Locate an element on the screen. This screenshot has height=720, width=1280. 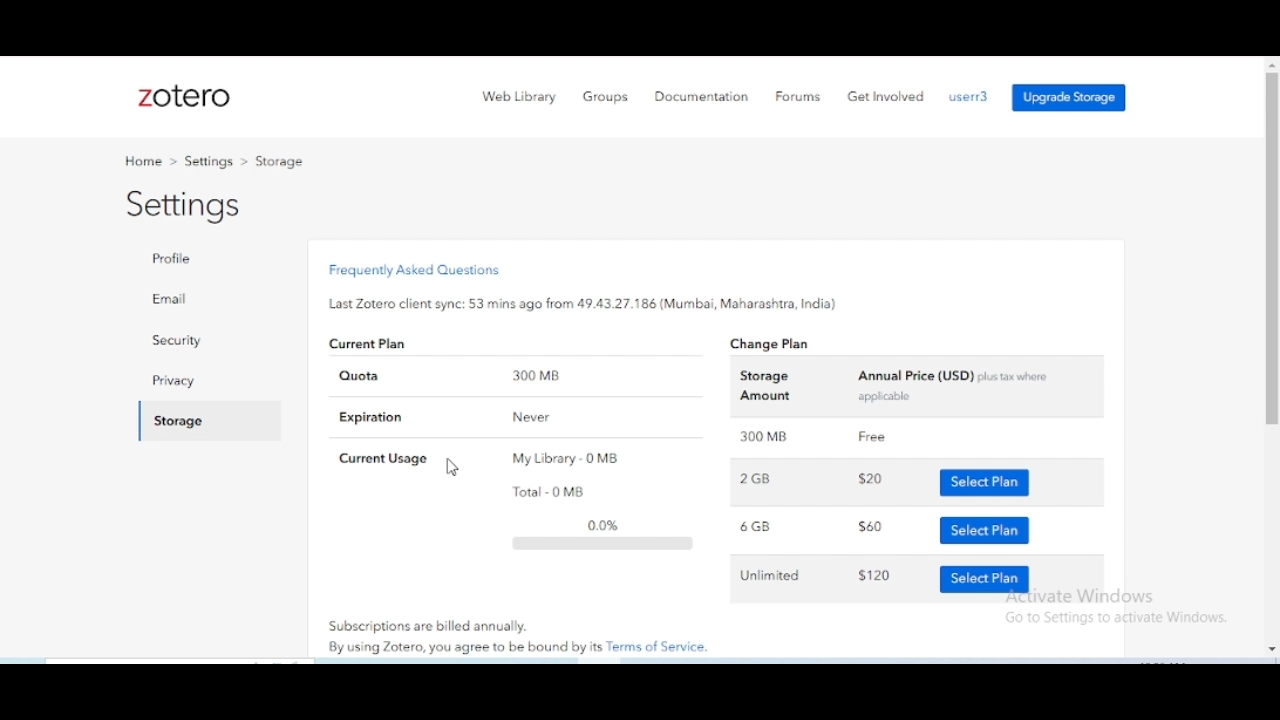
$20 is located at coordinates (872, 478).